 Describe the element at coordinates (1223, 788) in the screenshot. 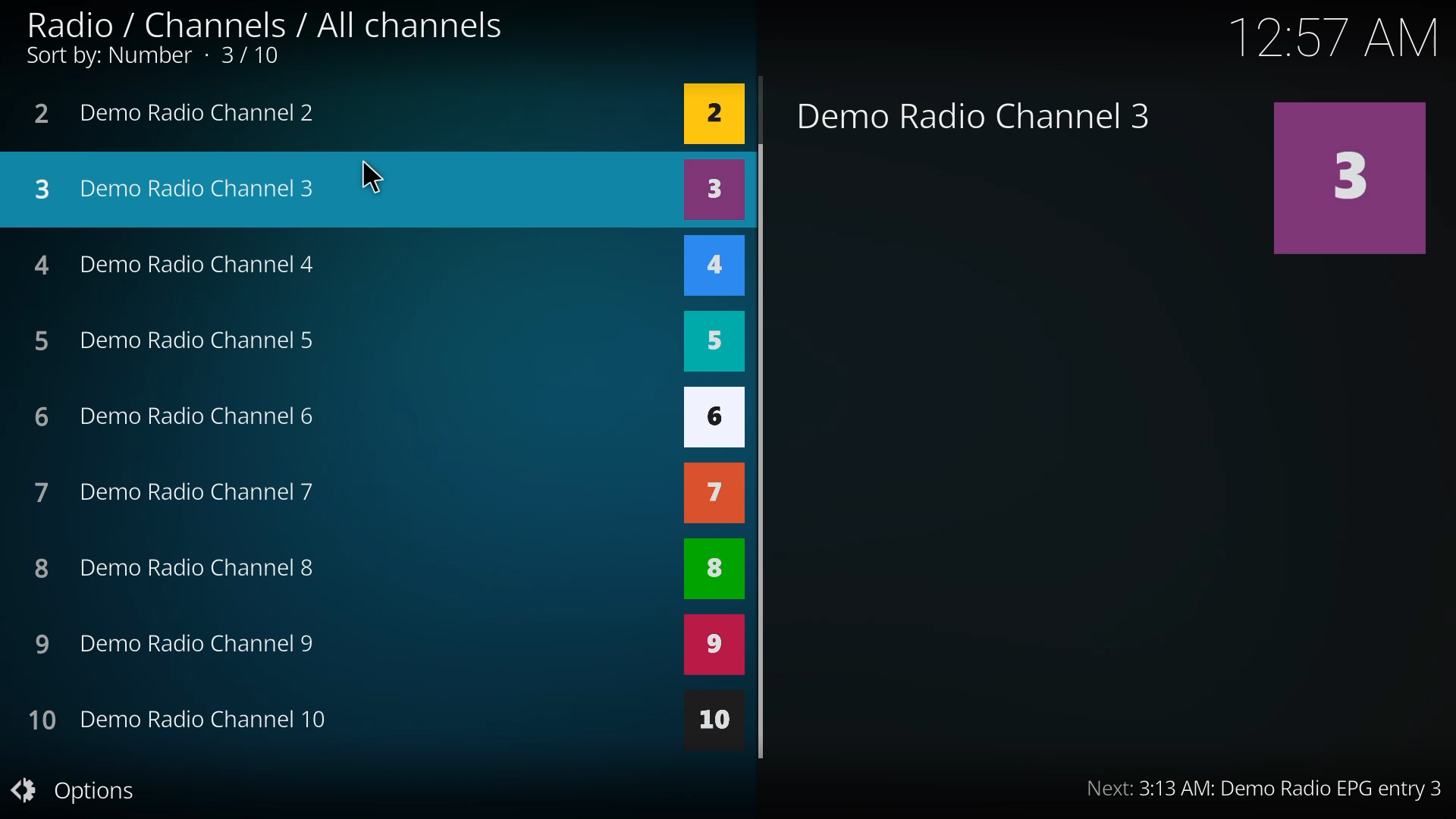

I see `Next: 3:13 AM: Demo Radio EPG entry 3` at that location.